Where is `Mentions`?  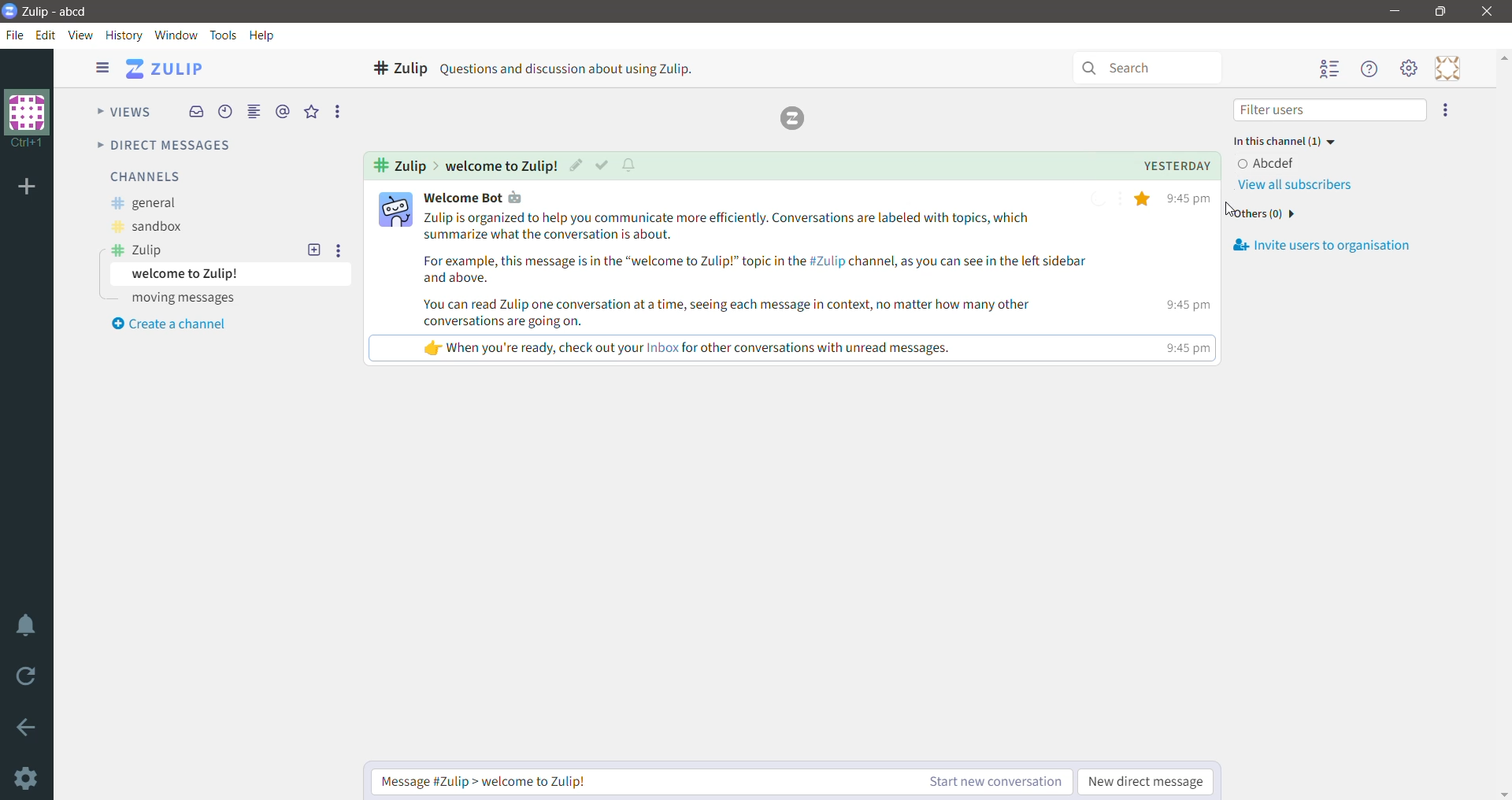
Mentions is located at coordinates (285, 112).